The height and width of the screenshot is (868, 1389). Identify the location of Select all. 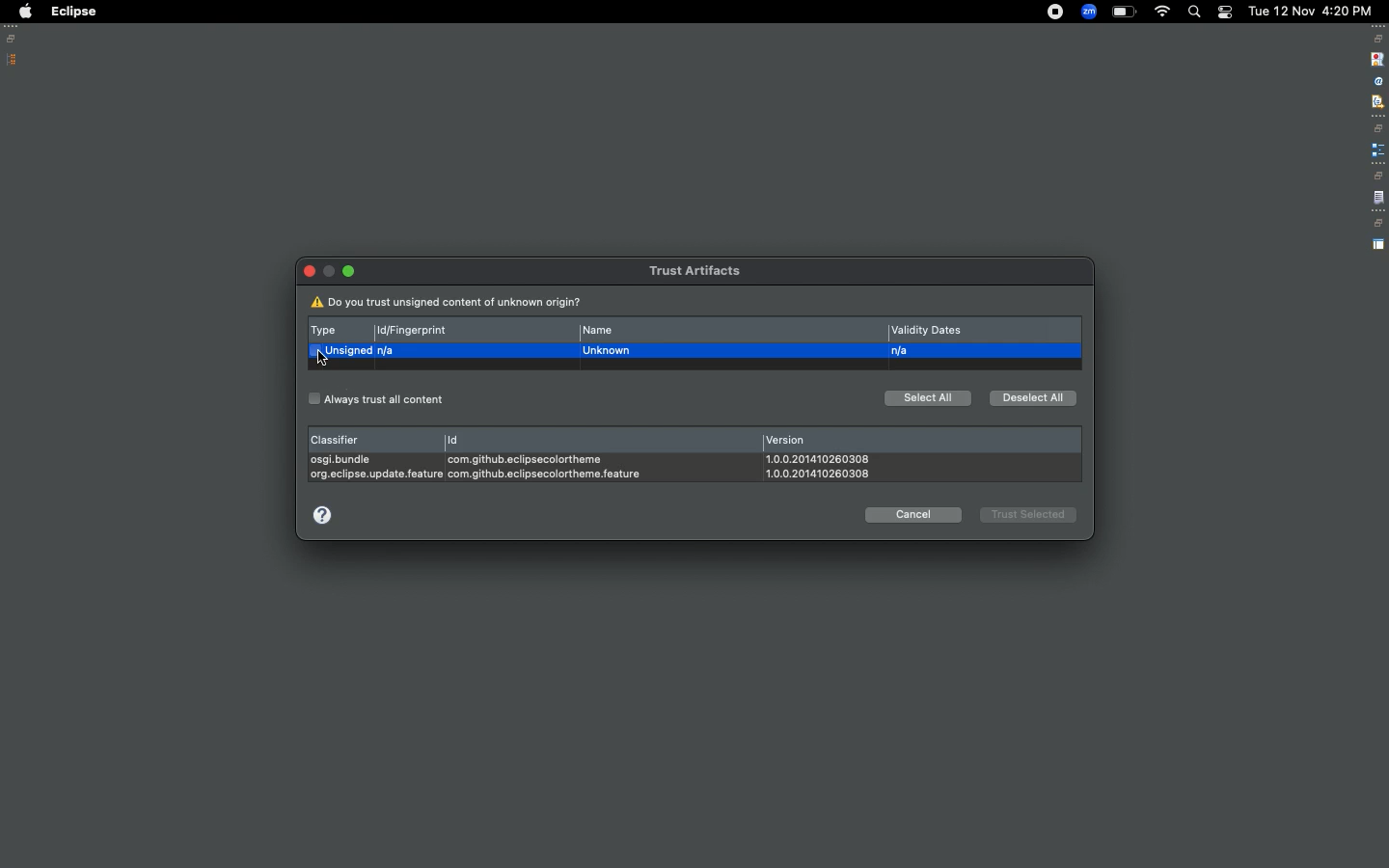
(928, 399).